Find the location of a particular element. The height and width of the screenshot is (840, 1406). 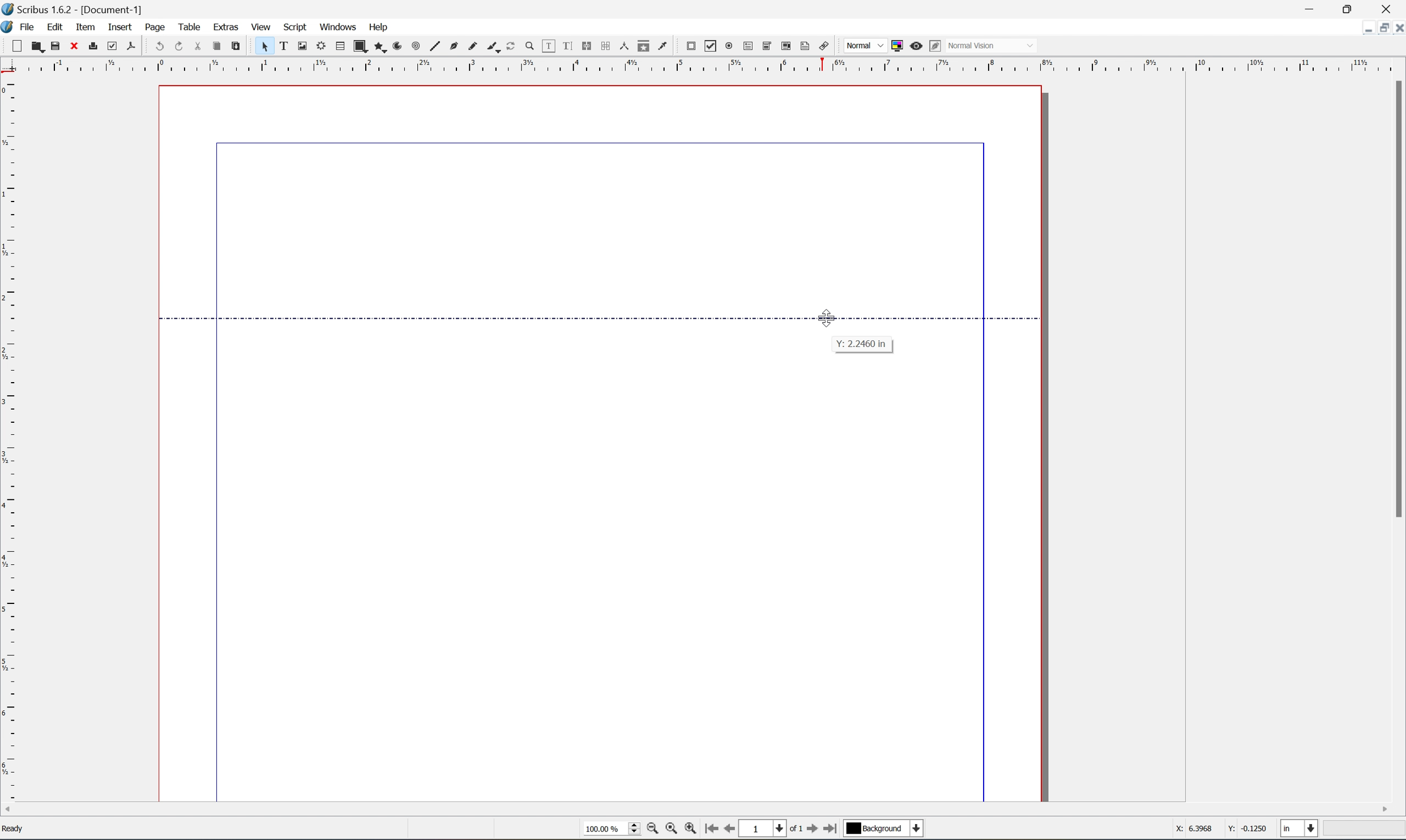

table is located at coordinates (188, 23).